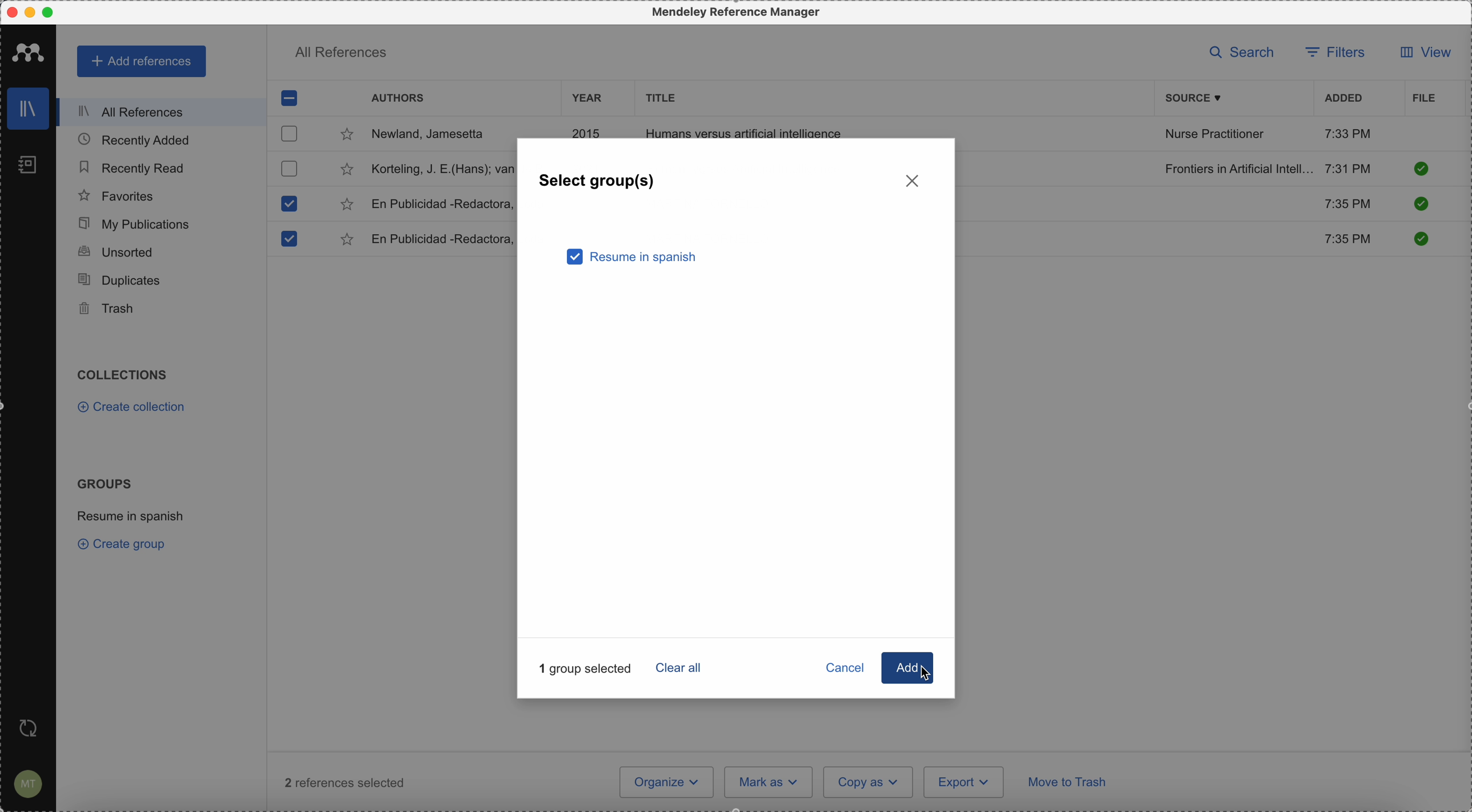  Describe the element at coordinates (441, 204) in the screenshot. I see `En Publicidad-Redactora, Lcda` at that location.